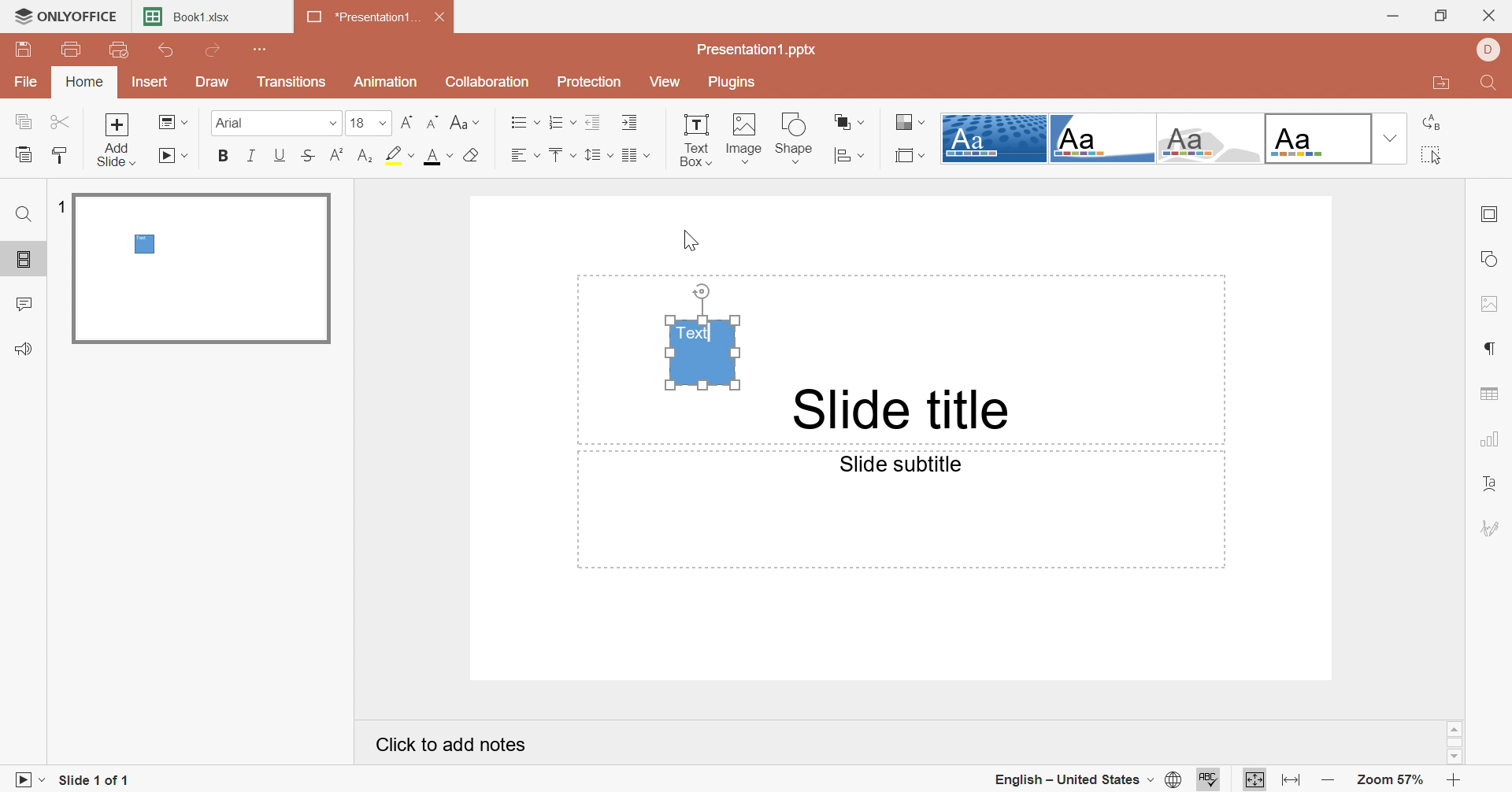 Image resolution: width=1512 pixels, height=792 pixels. I want to click on Signature settings, so click(1493, 528).